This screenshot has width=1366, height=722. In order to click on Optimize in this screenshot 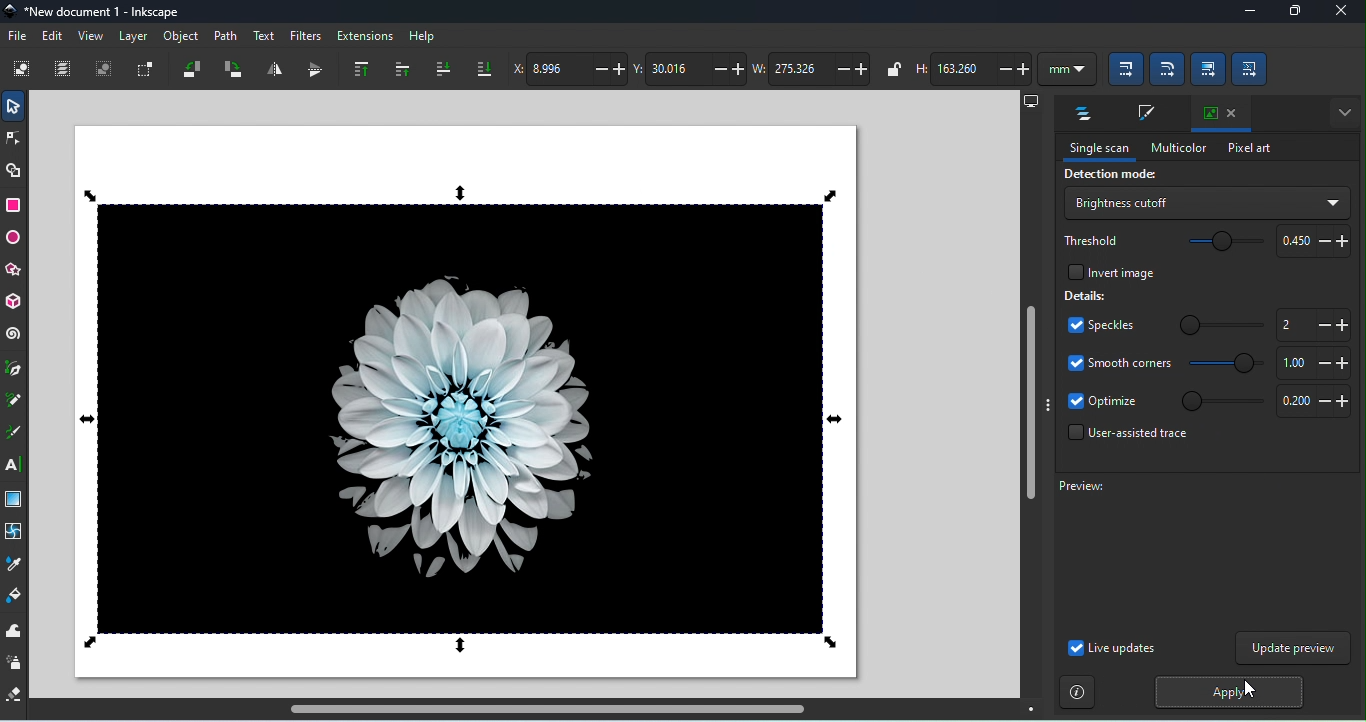, I will do `click(1102, 403)`.